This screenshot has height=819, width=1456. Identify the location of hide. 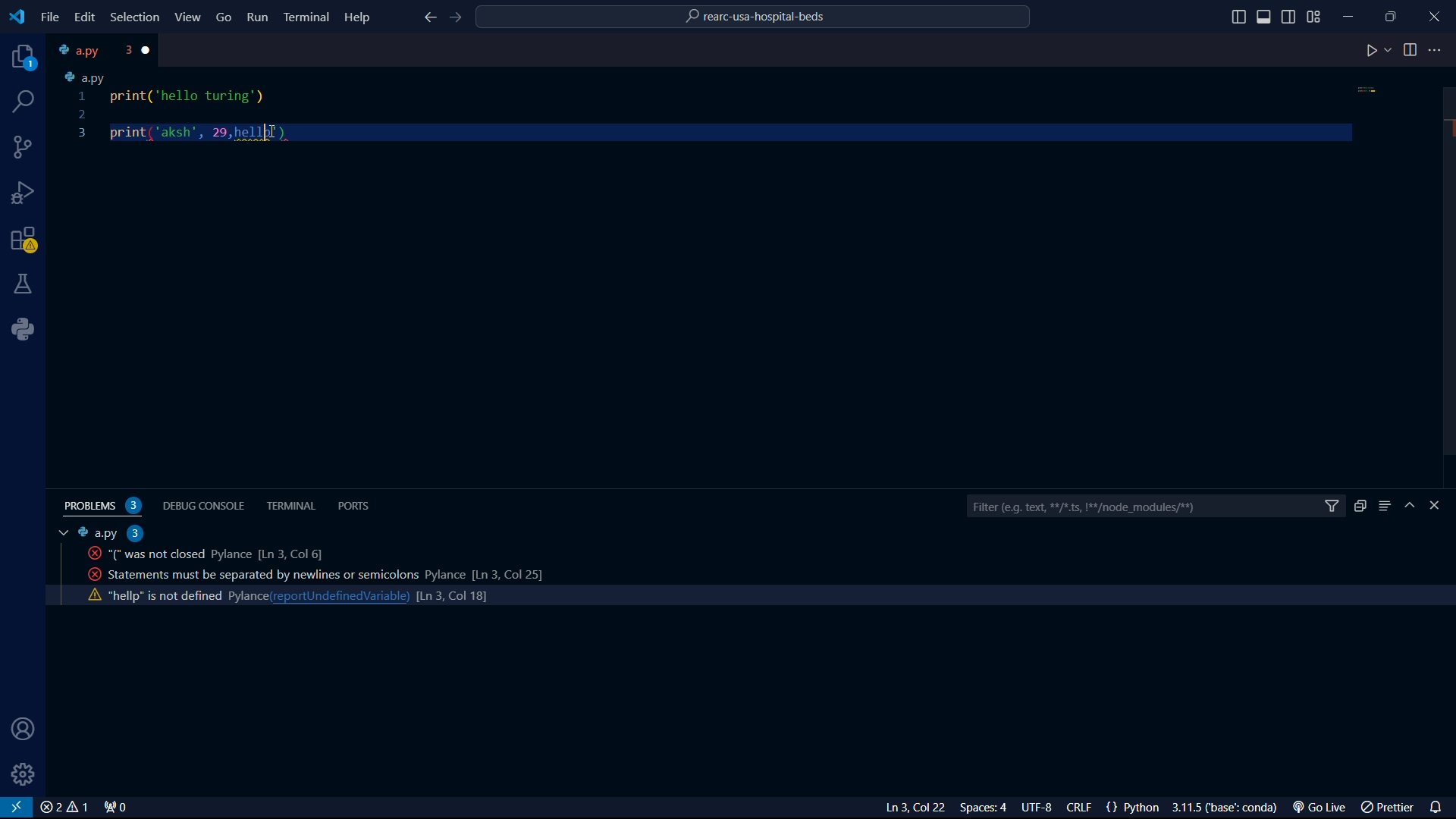
(1412, 507).